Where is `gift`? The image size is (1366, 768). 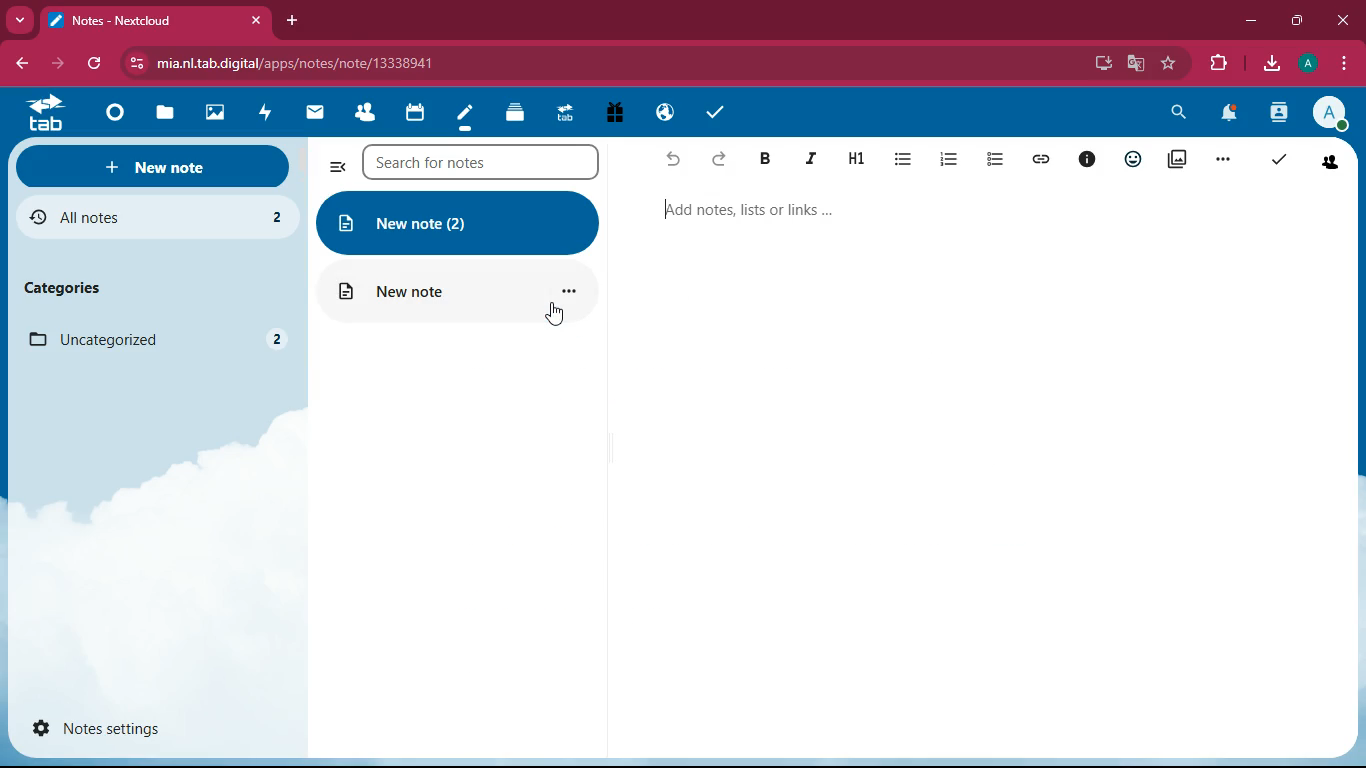 gift is located at coordinates (618, 114).